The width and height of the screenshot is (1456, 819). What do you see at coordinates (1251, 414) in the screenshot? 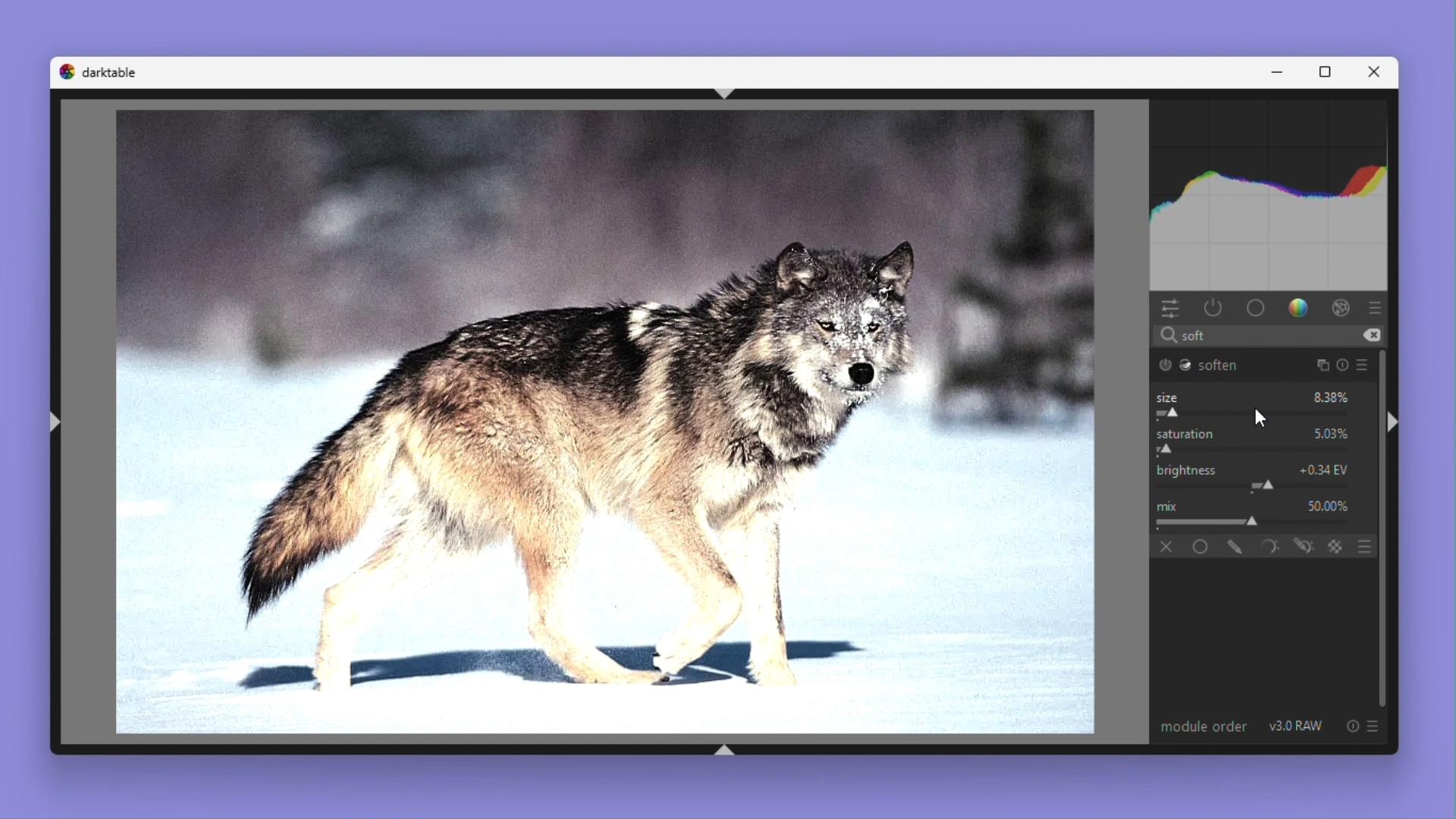
I see `slider` at bounding box center [1251, 414].